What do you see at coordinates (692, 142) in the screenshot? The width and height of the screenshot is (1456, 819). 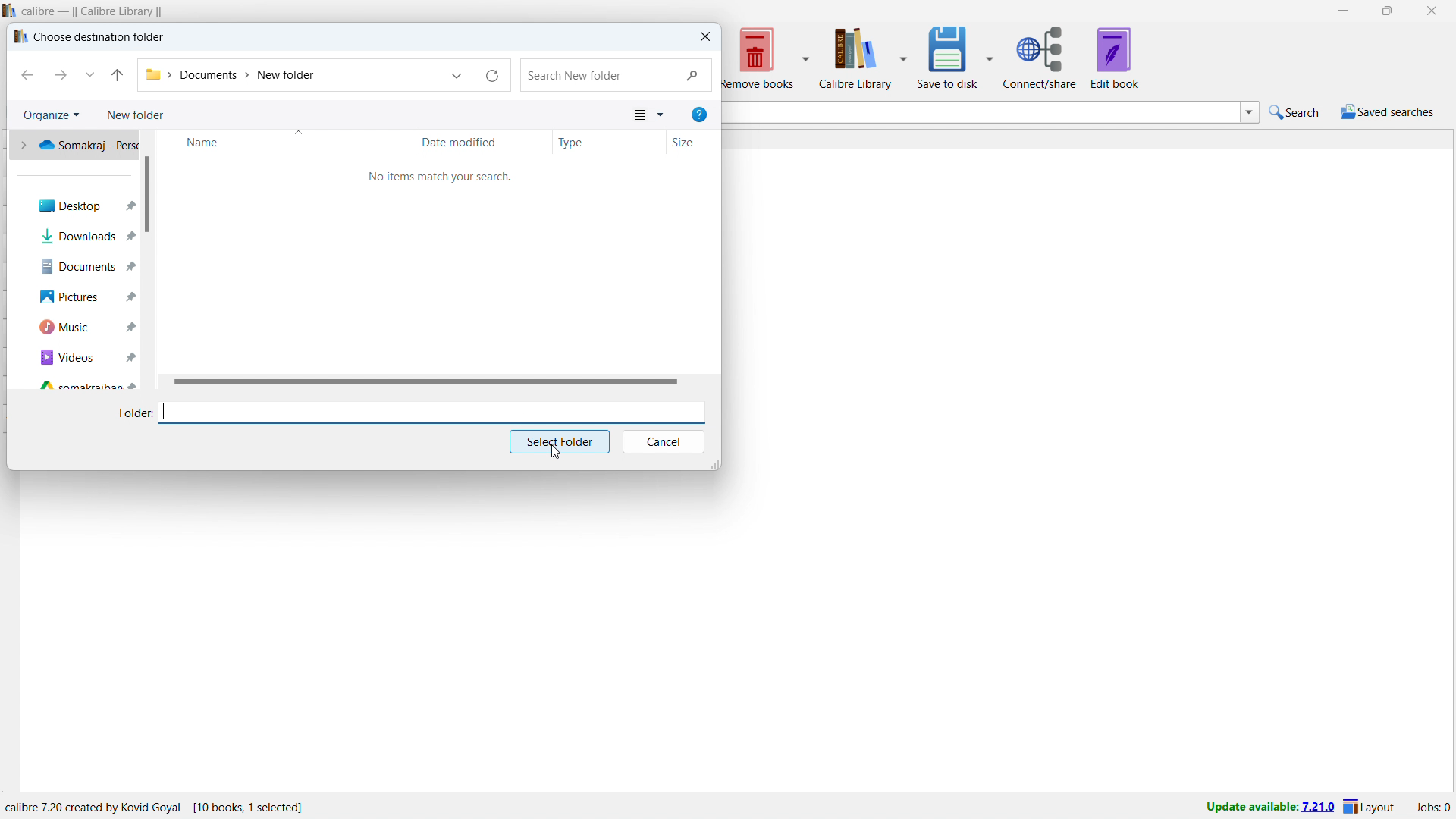 I see `sort by size` at bounding box center [692, 142].